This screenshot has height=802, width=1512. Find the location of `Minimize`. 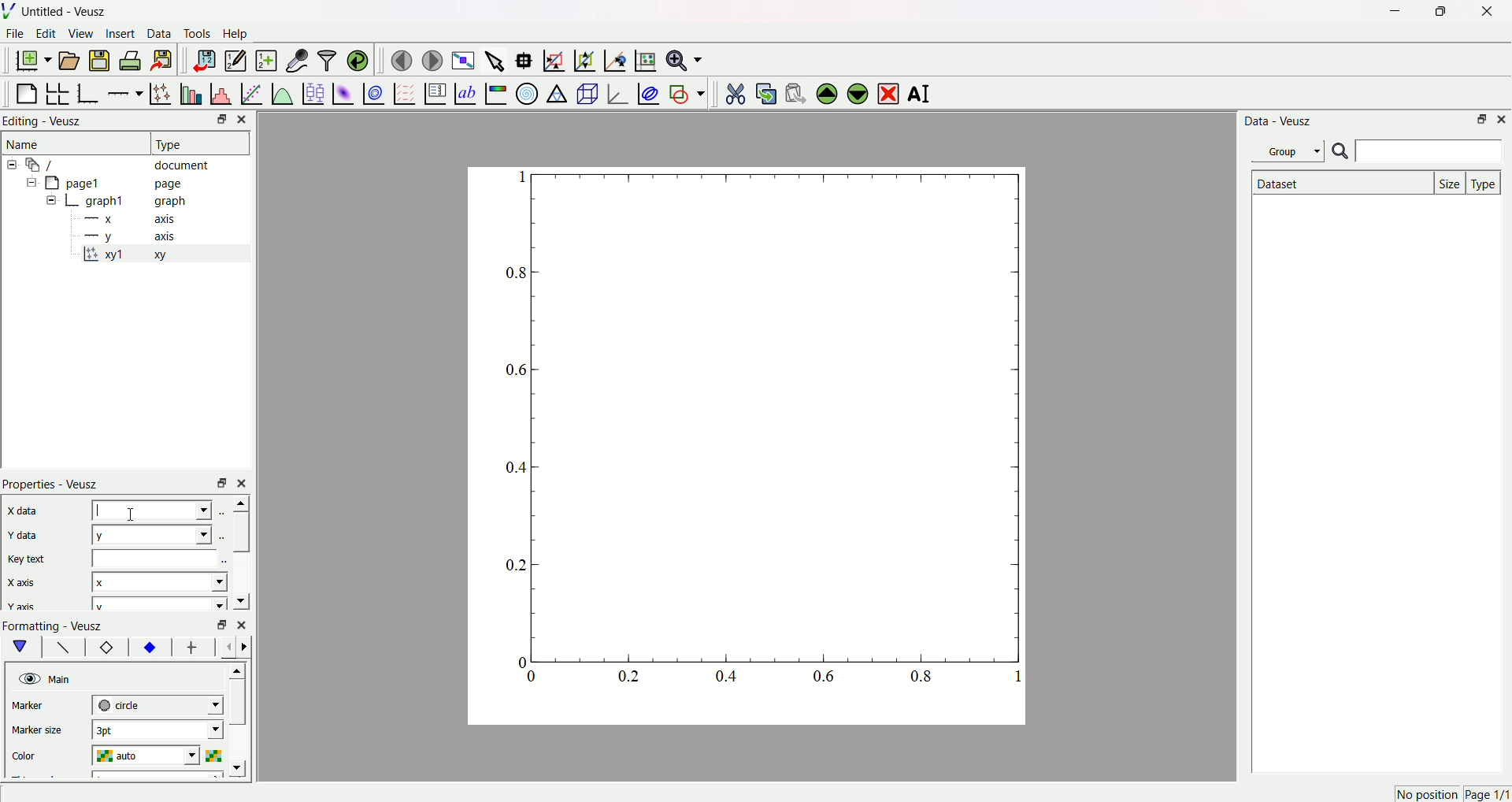

Minimize is located at coordinates (1391, 12).